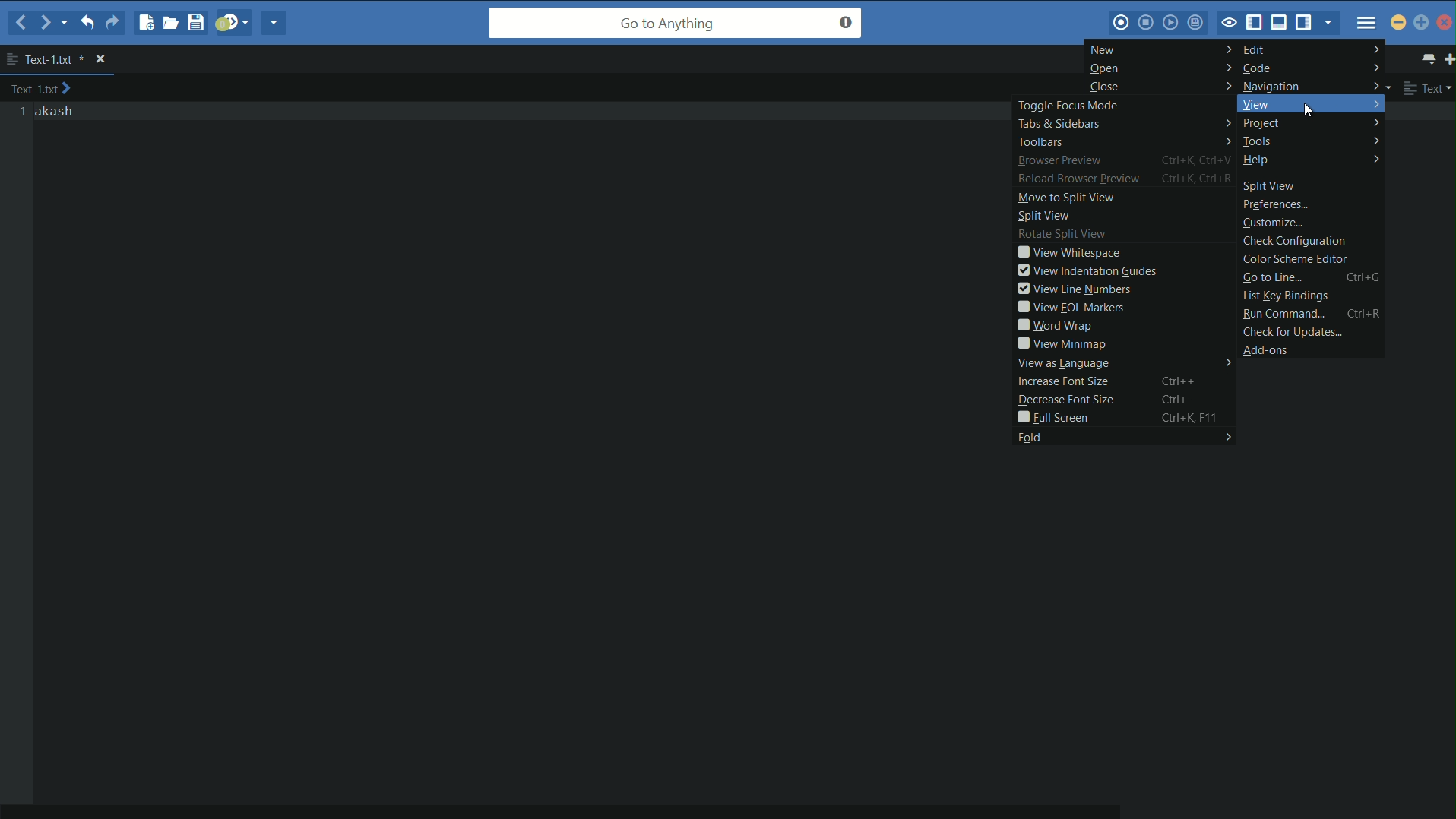  What do you see at coordinates (1197, 21) in the screenshot?
I see `save macro to toolbox` at bounding box center [1197, 21].